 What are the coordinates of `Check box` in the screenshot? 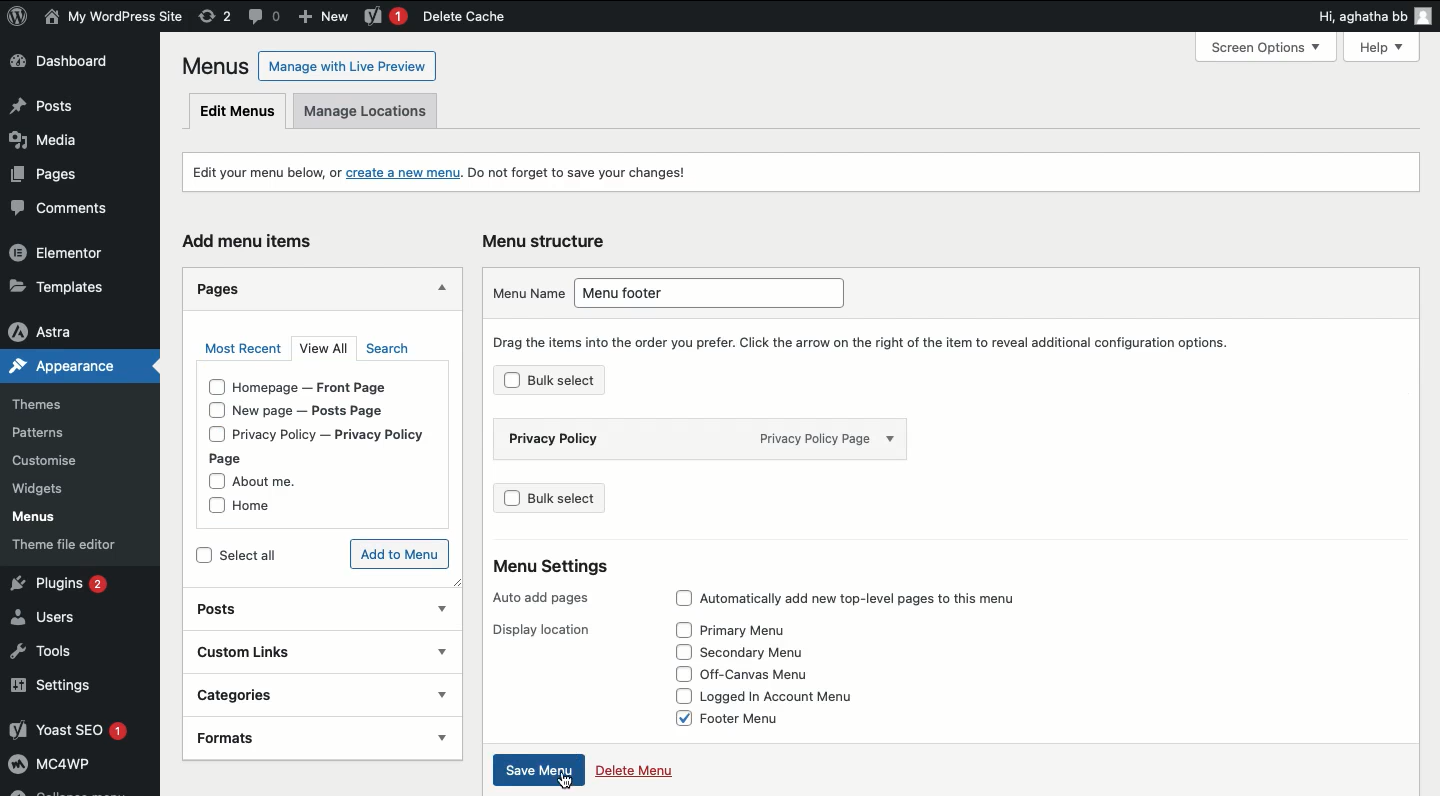 It's located at (678, 651).